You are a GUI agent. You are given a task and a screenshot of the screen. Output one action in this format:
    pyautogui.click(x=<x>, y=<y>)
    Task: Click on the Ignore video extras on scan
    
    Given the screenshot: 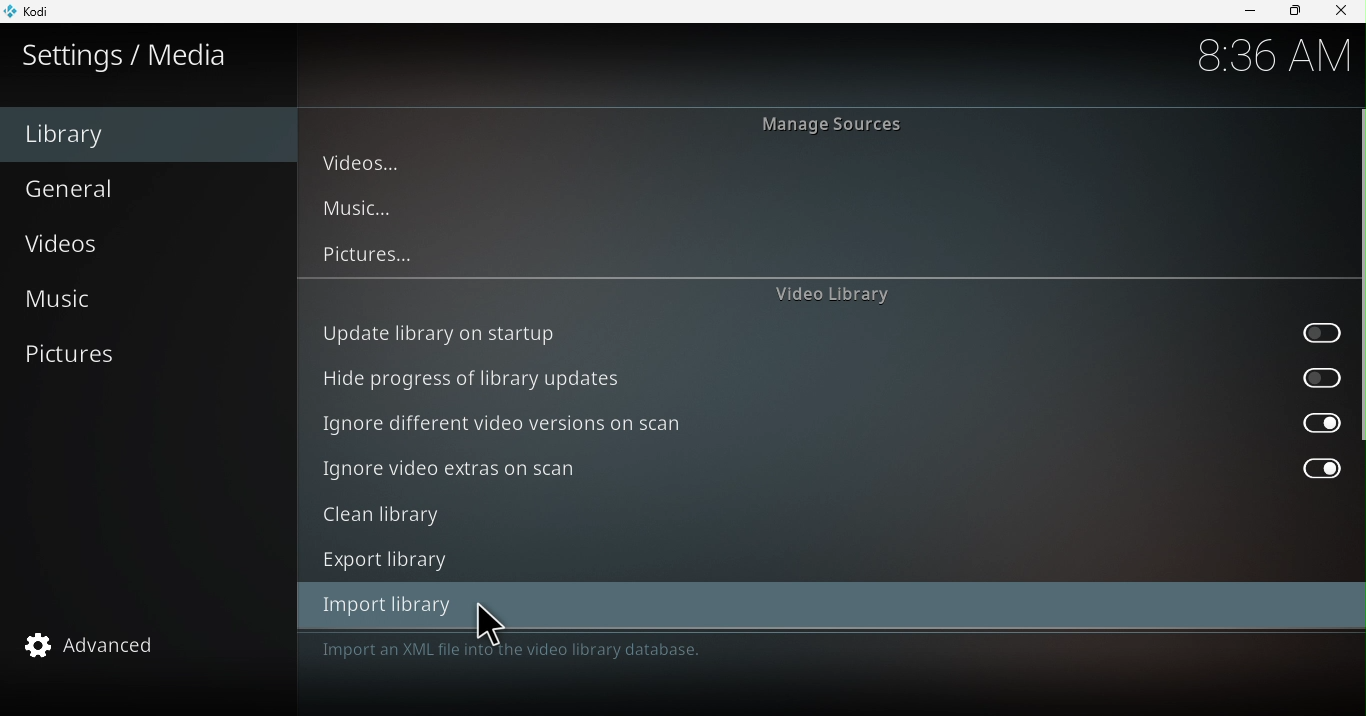 What is the action you would take?
    pyautogui.click(x=830, y=469)
    